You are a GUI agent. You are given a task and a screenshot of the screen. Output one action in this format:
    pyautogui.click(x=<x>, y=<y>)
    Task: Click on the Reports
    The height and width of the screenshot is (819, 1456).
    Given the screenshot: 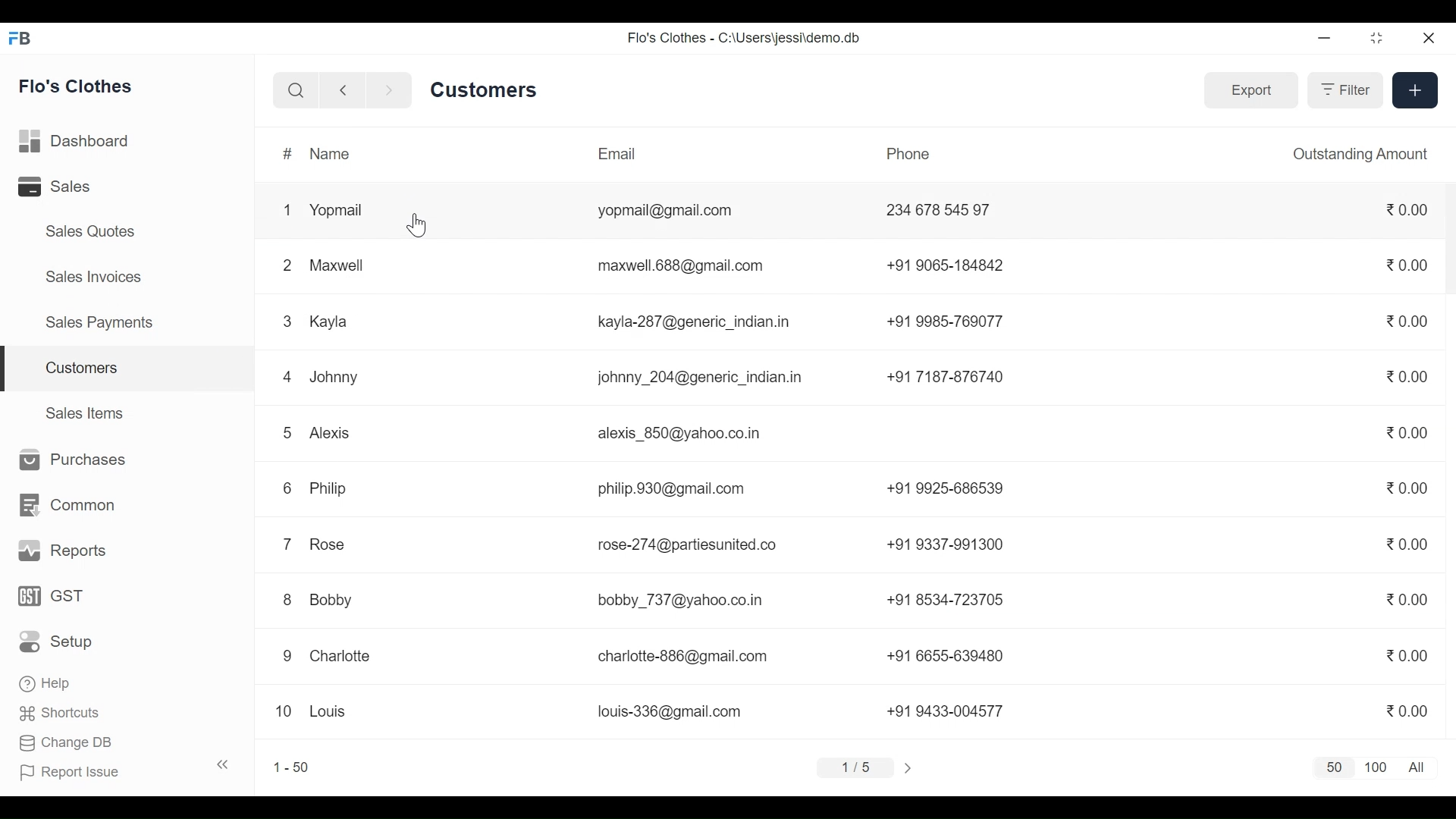 What is the action you would take?
    pyautogui.click(x=64, y=551)
    